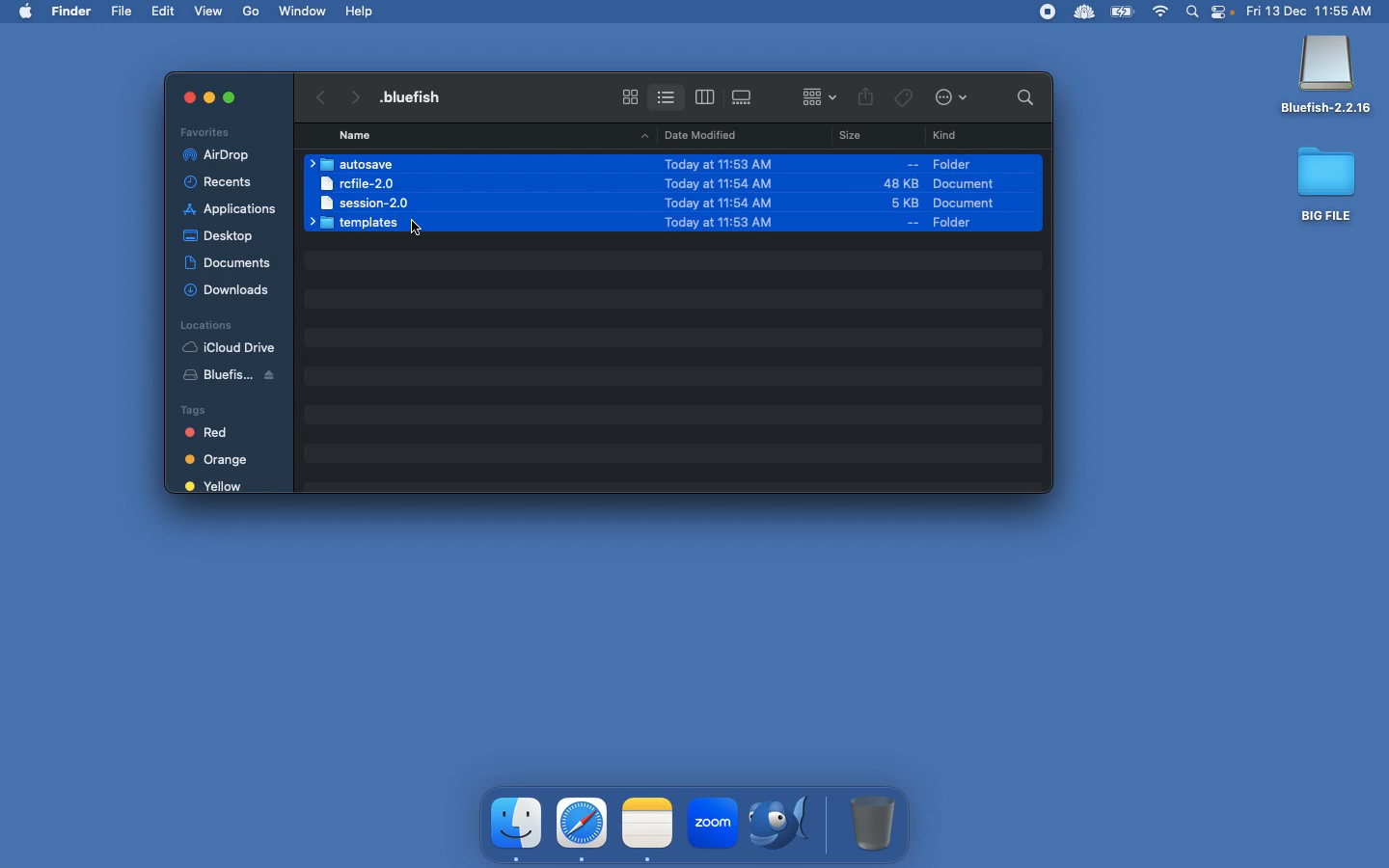 The image size is (1389, 868). I want to click on safari, so click(583, 823).